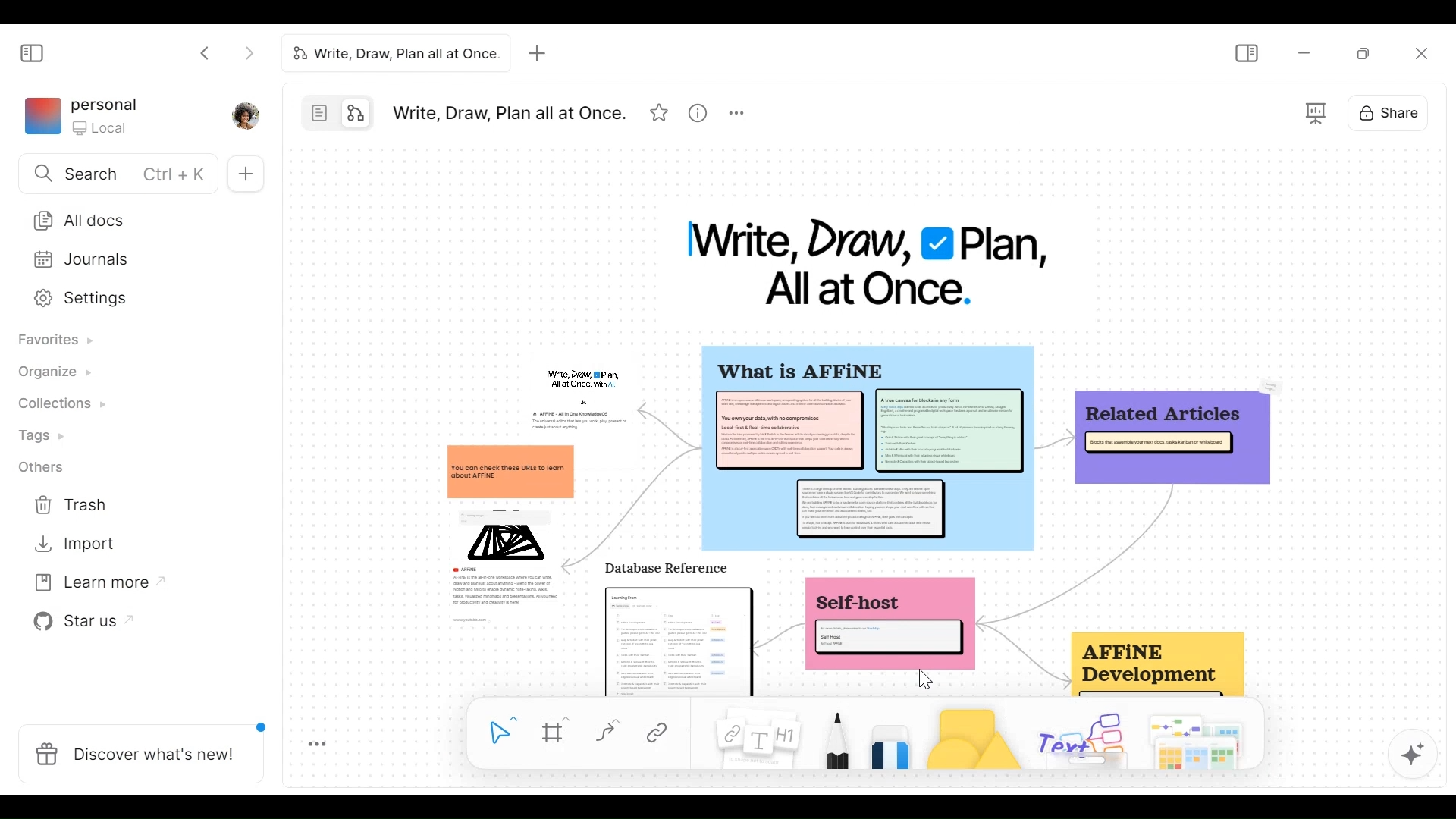  Describe the element at coordinates (1313, 110) in the screenshot. I see `Full preview mode` at that location.